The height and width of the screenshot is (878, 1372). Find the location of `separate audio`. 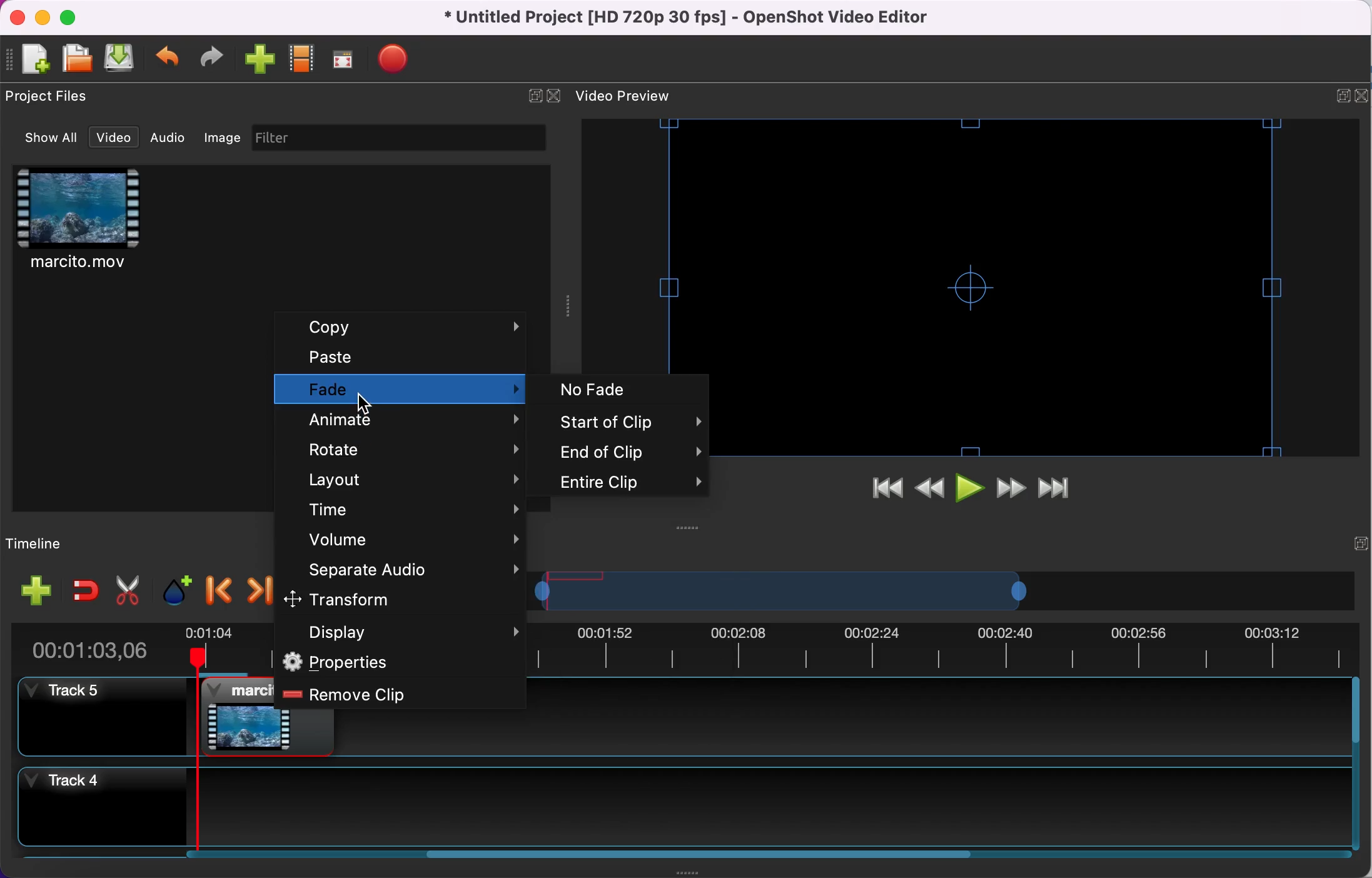

separate audio is located at coordinates (408, 572).